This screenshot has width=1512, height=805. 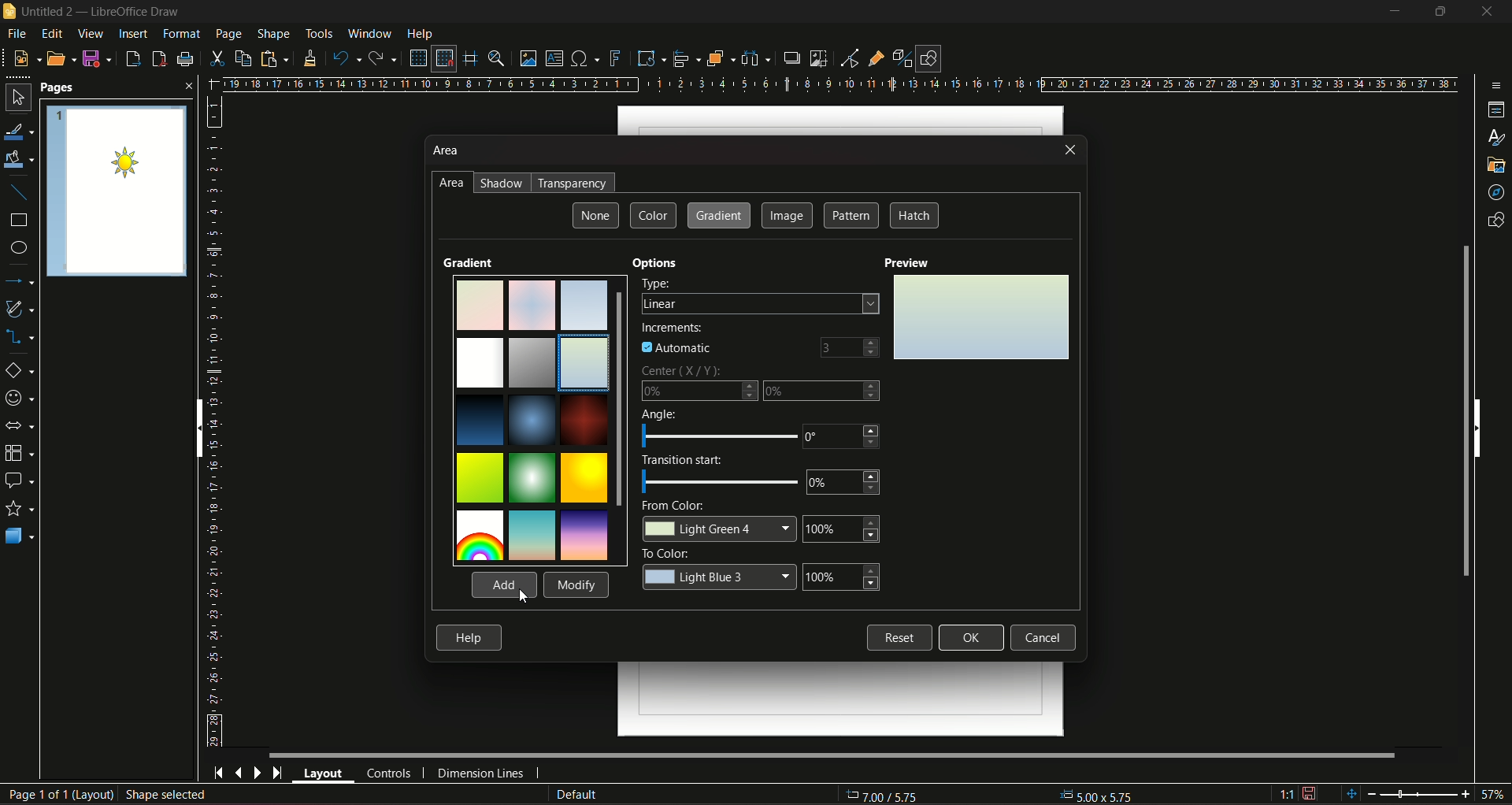 What do you see at coordinates (506, 588) in the screenshot?
I see `cursor` at bounding box center [506, 588].